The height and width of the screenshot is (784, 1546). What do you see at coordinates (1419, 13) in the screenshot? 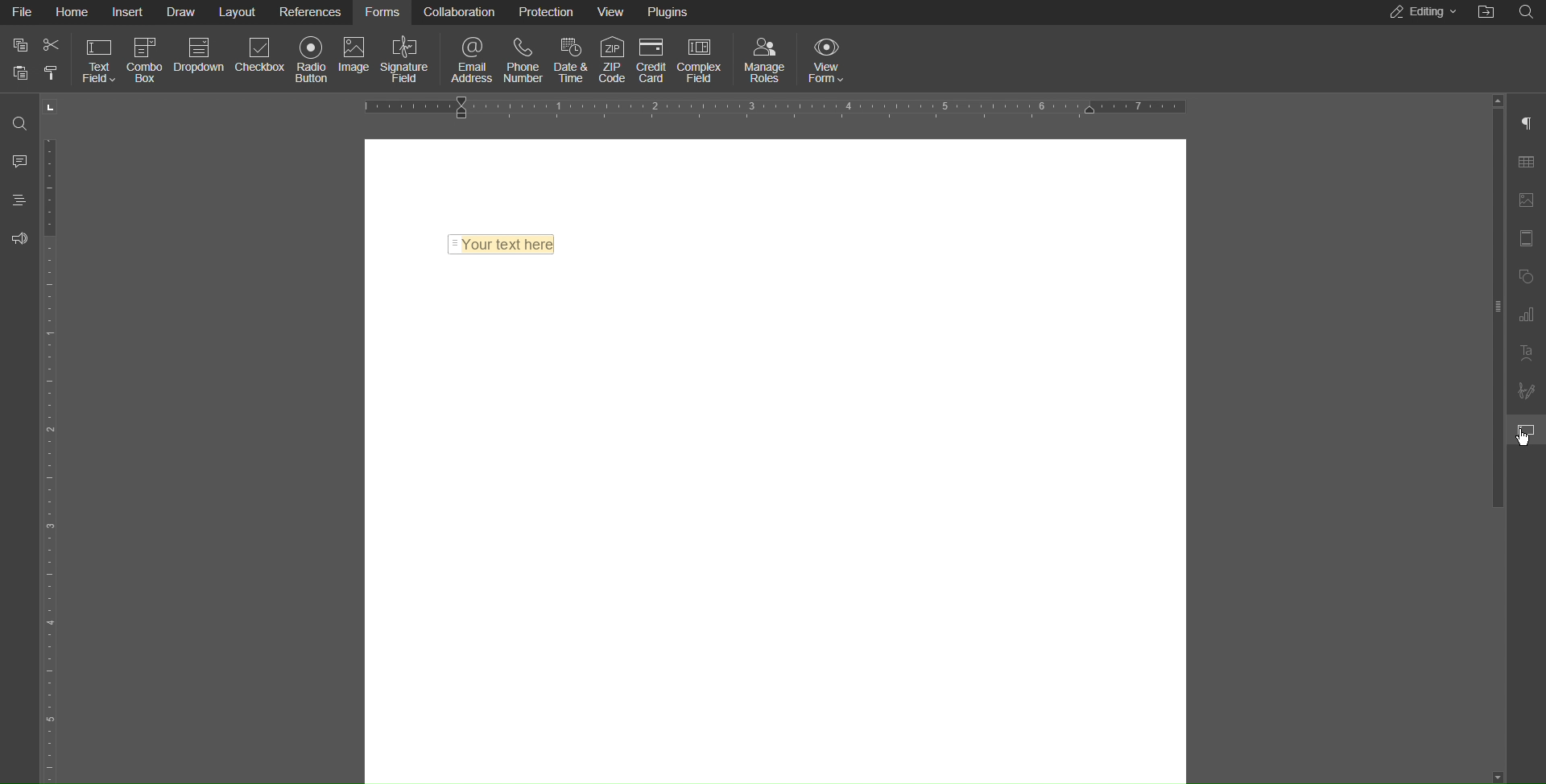
I see `Editing` at bounding box center [1419, 13].